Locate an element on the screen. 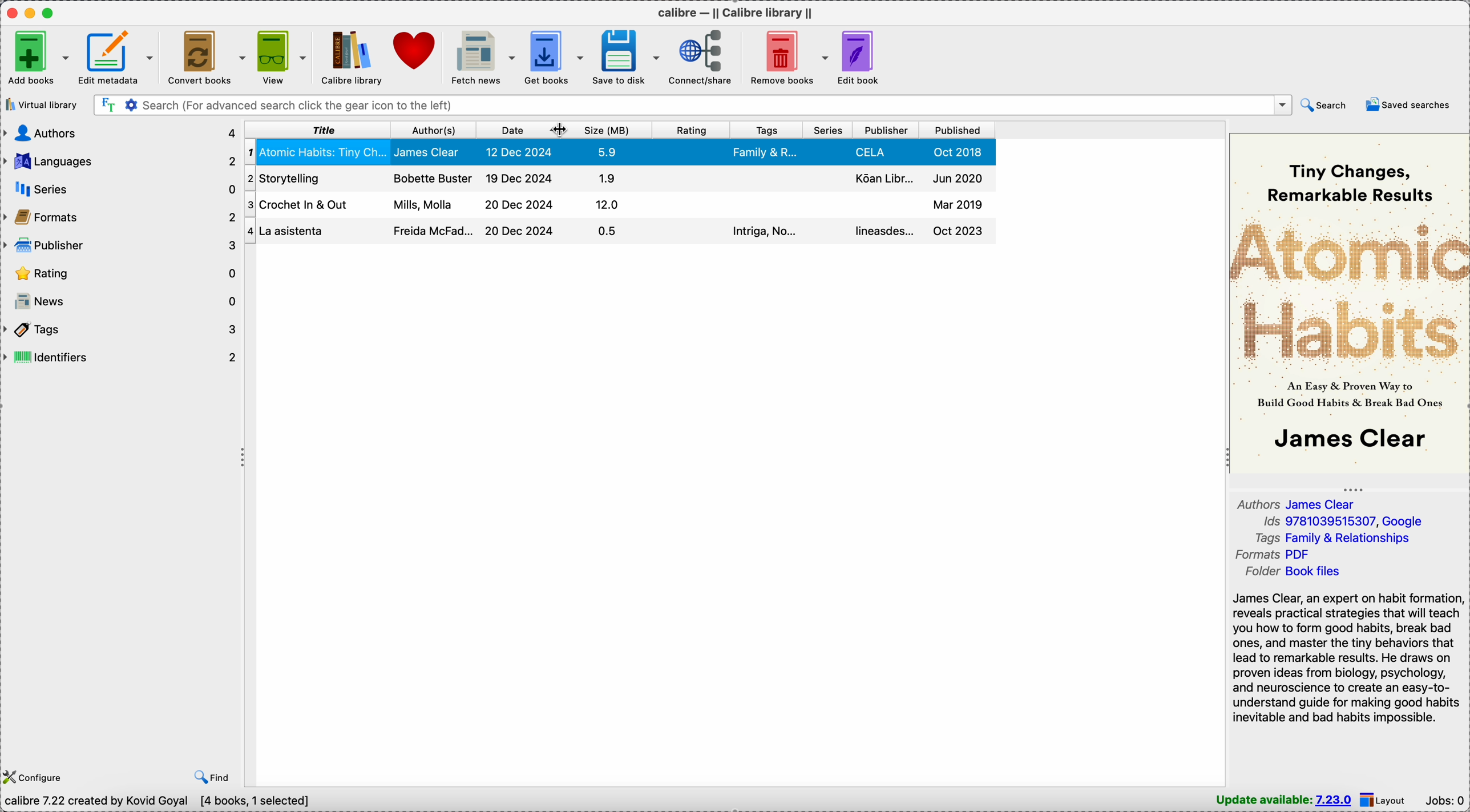 The image size is (1470, 812). get books is located at coordinates (556, 58).